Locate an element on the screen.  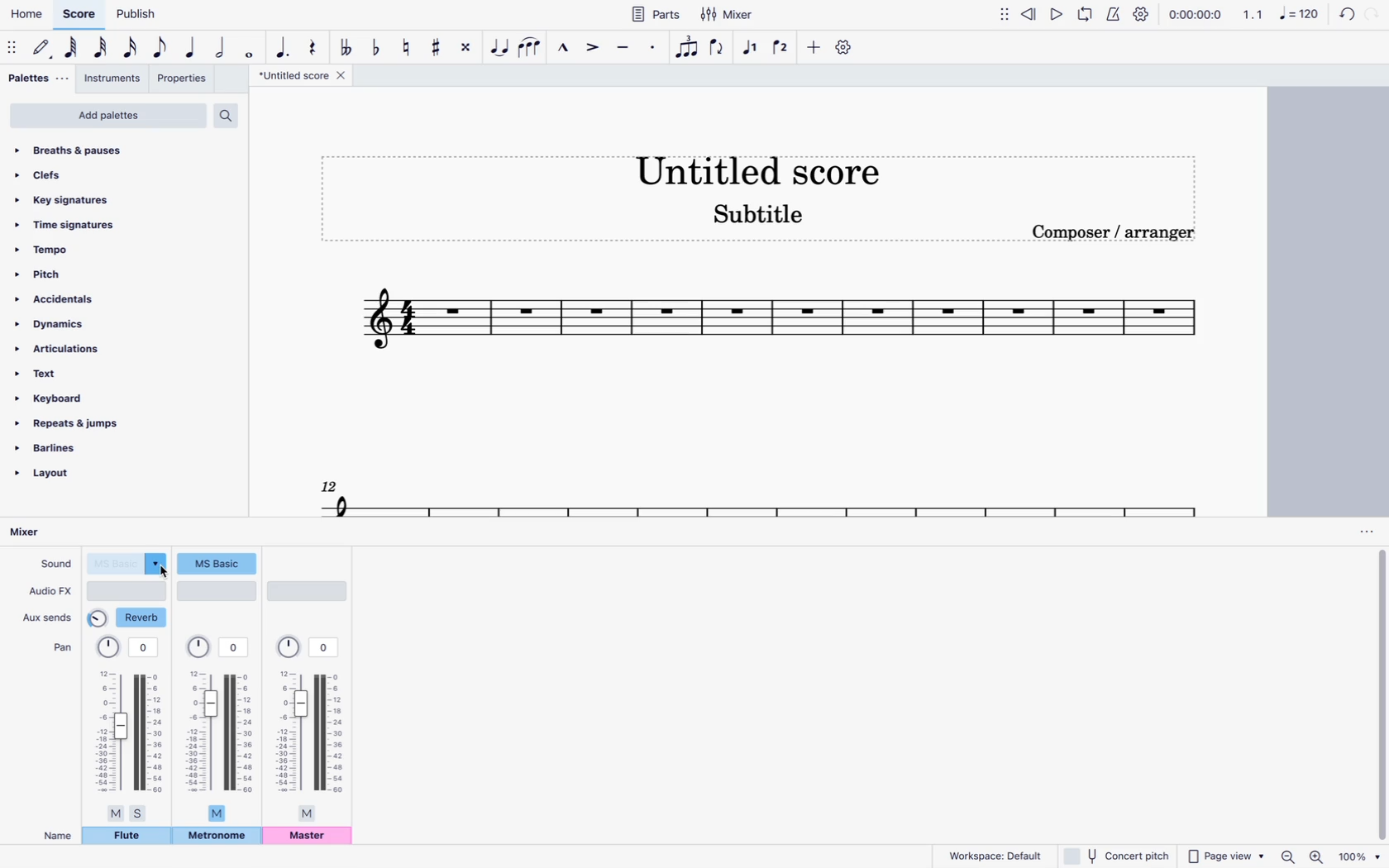
master is located at coordinates (308, 837).